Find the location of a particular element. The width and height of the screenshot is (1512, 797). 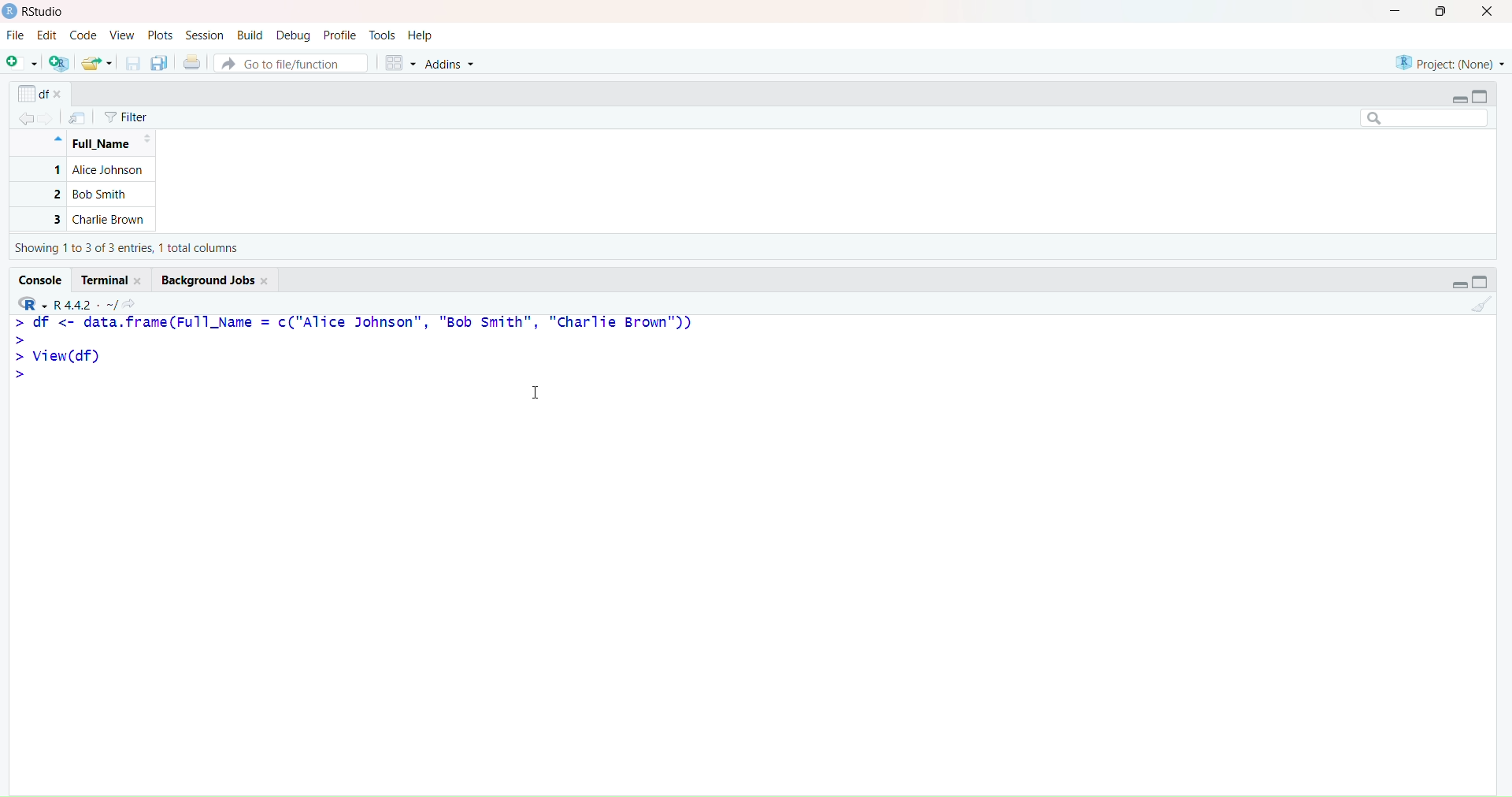

Go to file/function is located at coordinates (291, 62).